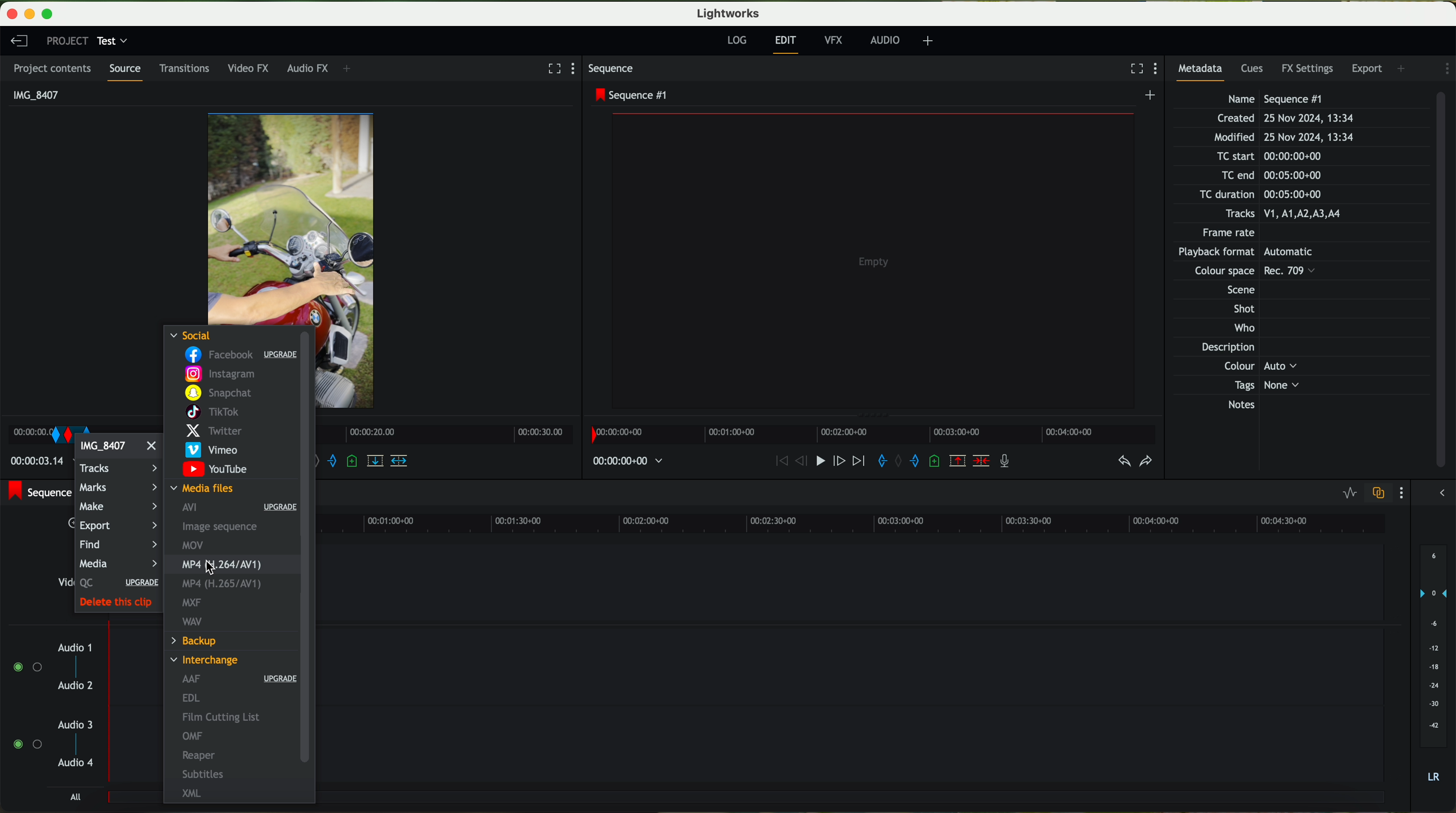  I want to click on video preview, so click(873, 260).